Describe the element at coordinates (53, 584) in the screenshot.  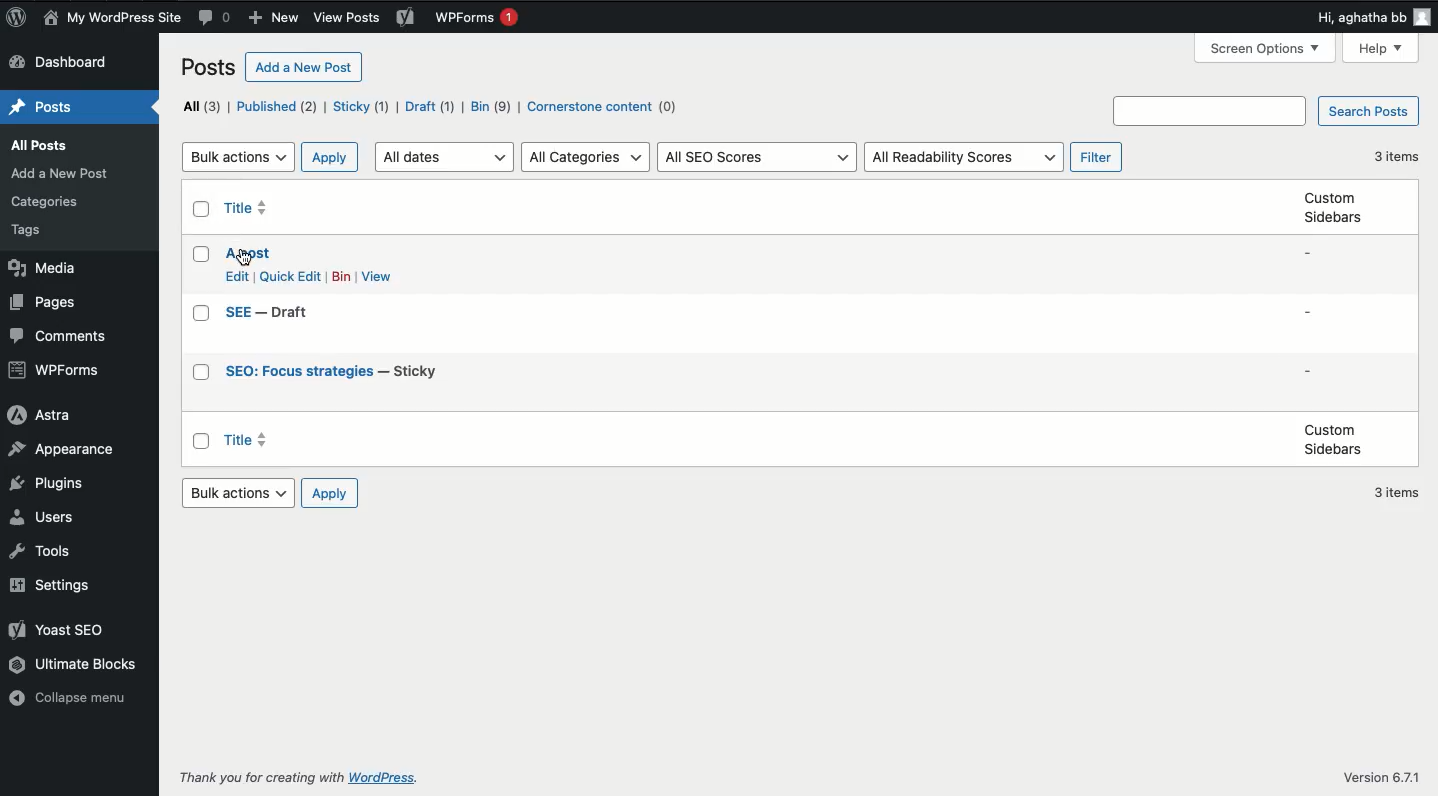
I see `Settings` at that location.